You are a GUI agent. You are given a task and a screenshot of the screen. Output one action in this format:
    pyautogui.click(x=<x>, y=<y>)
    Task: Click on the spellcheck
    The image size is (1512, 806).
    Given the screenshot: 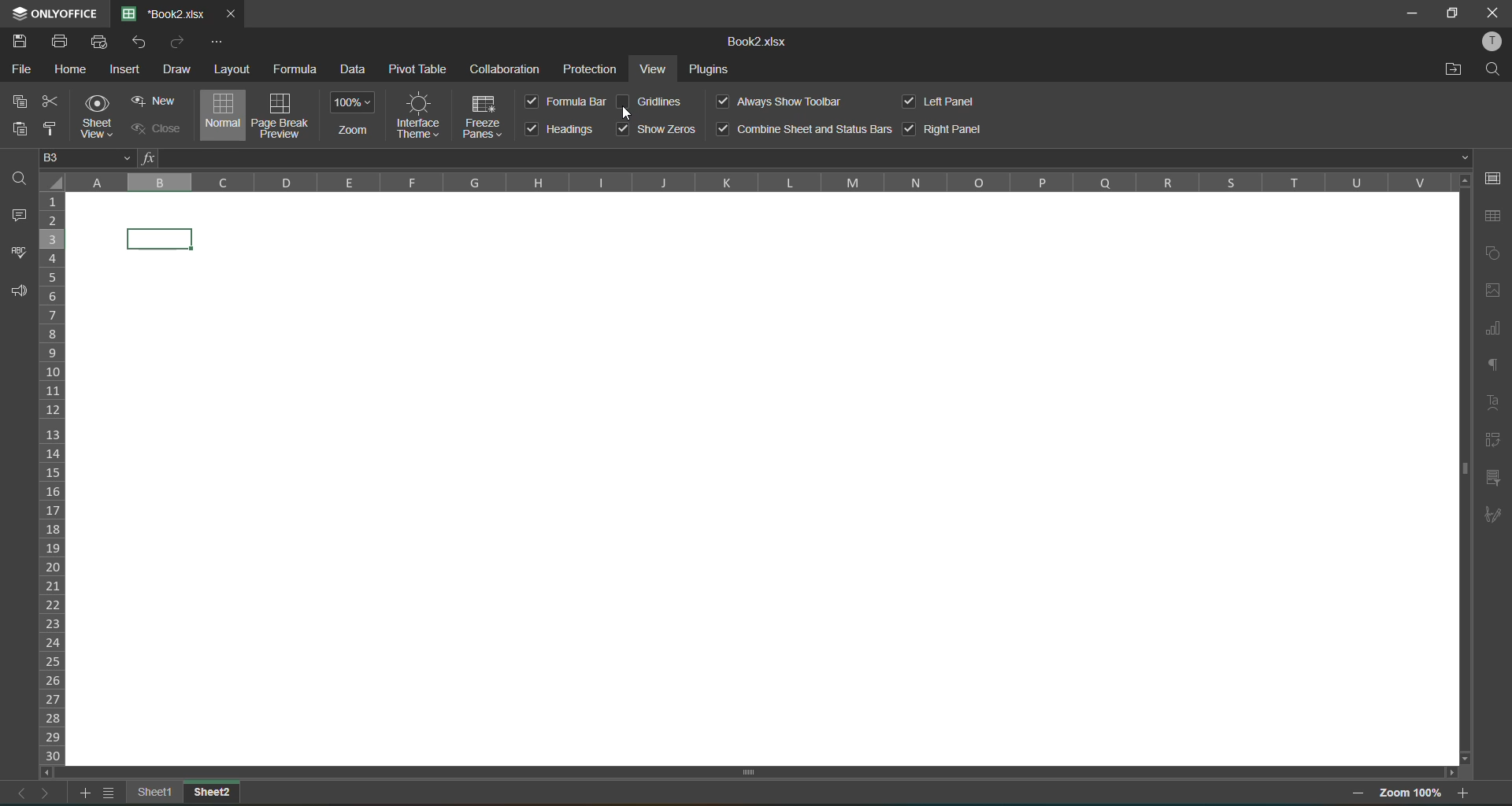 What is the action you would take?
    pyautogui.click(x=20, y=254)
    